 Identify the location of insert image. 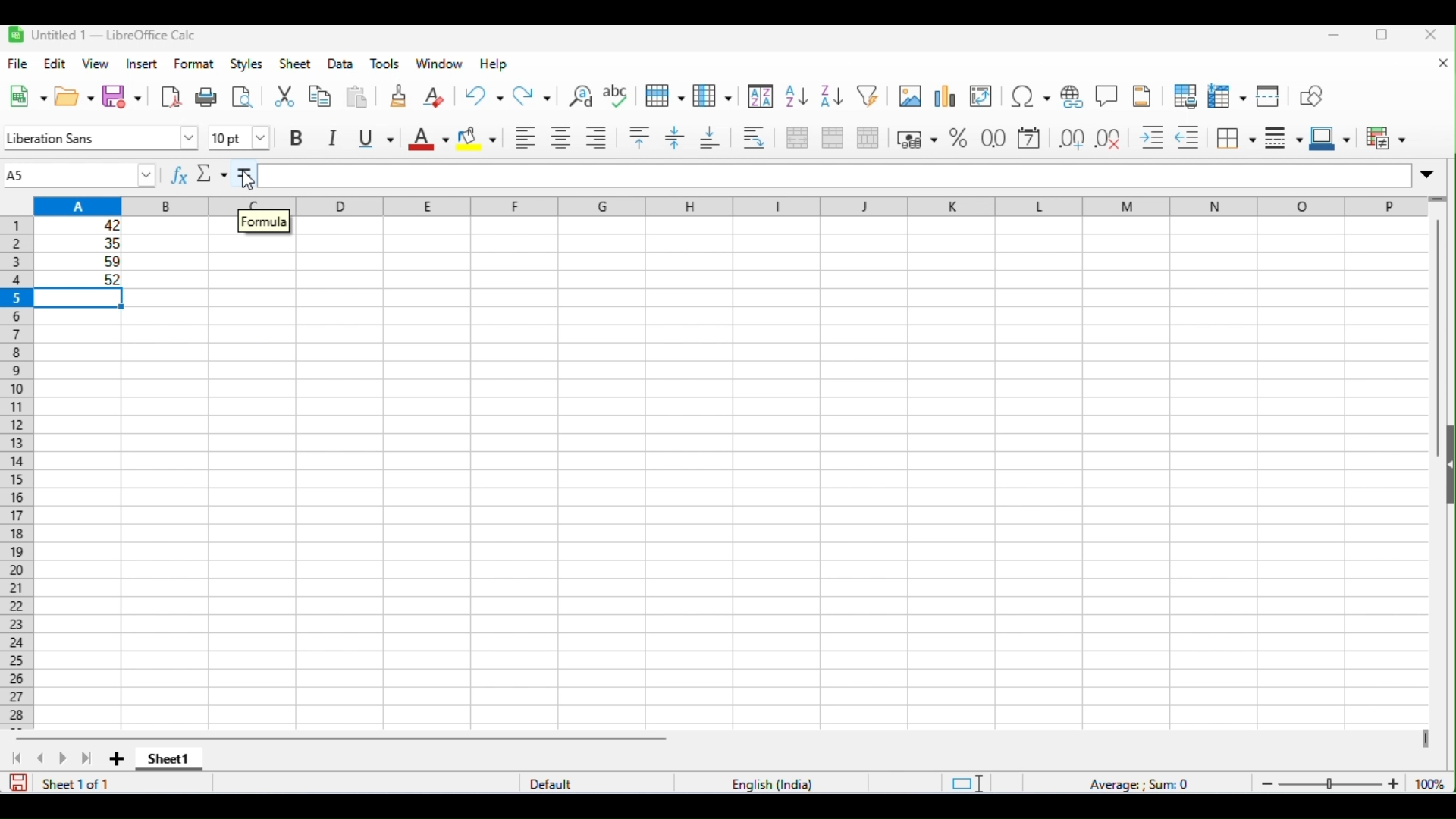
(909, 96).